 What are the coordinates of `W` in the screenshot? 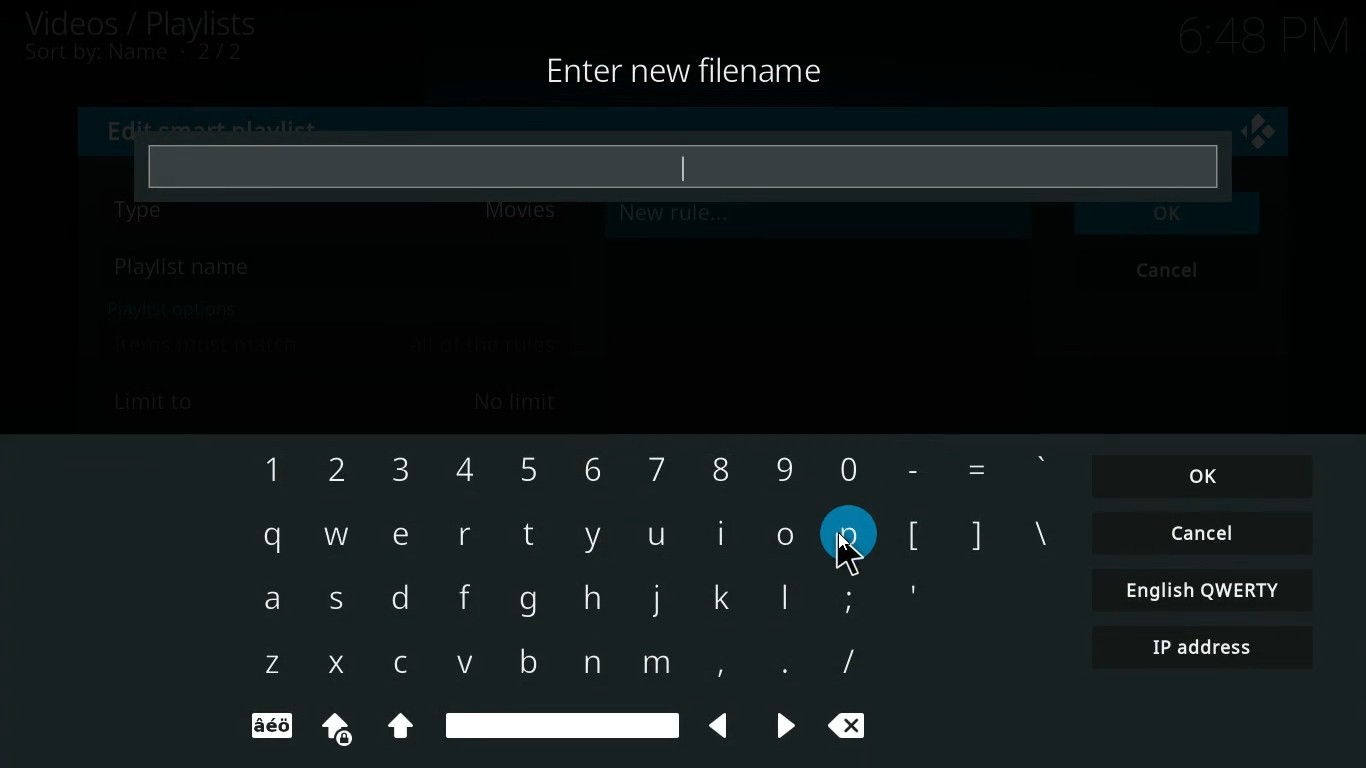 It's located at (334, 534).